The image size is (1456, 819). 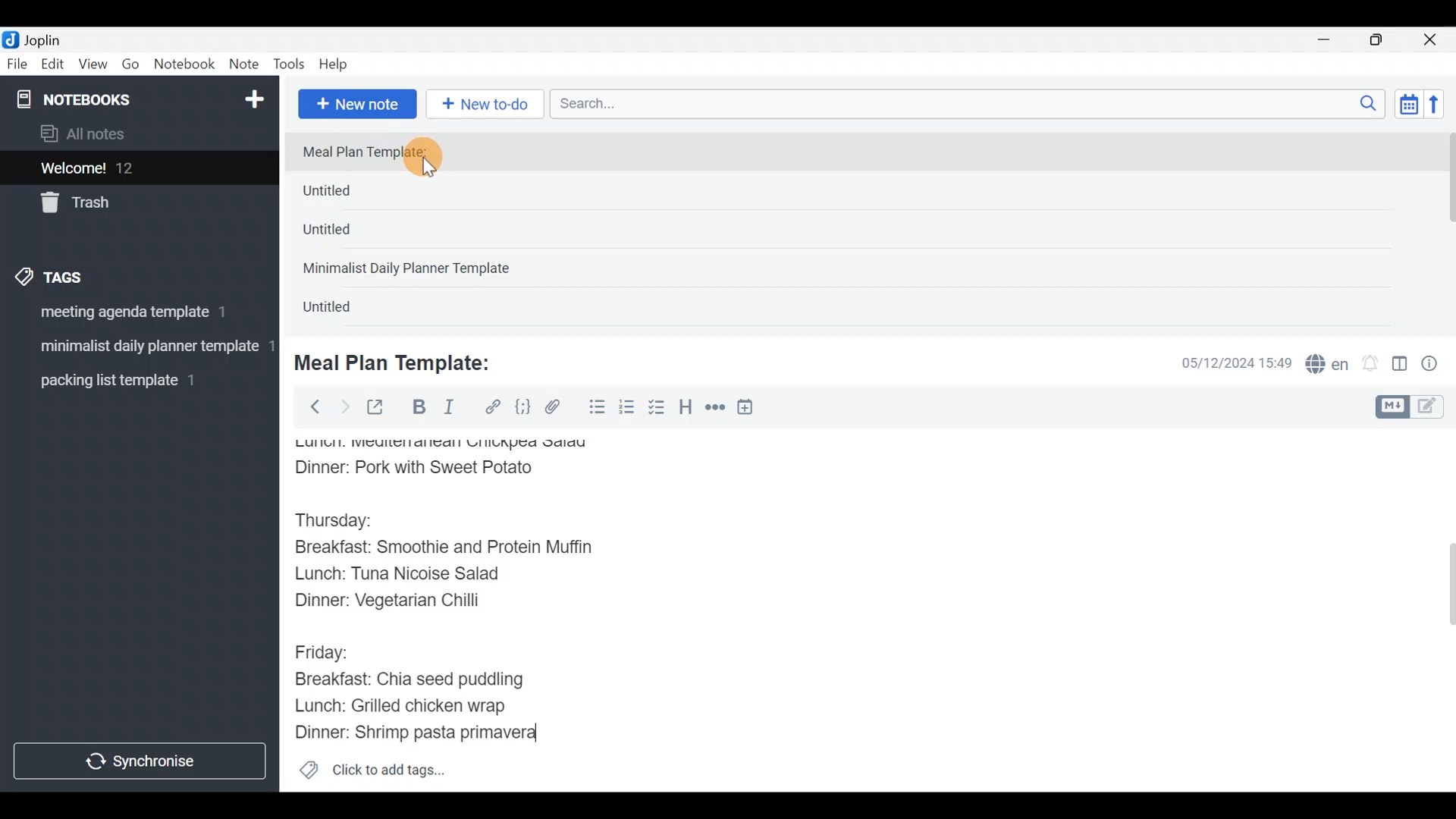 I want to click on New note, so click(x=356, y=102).